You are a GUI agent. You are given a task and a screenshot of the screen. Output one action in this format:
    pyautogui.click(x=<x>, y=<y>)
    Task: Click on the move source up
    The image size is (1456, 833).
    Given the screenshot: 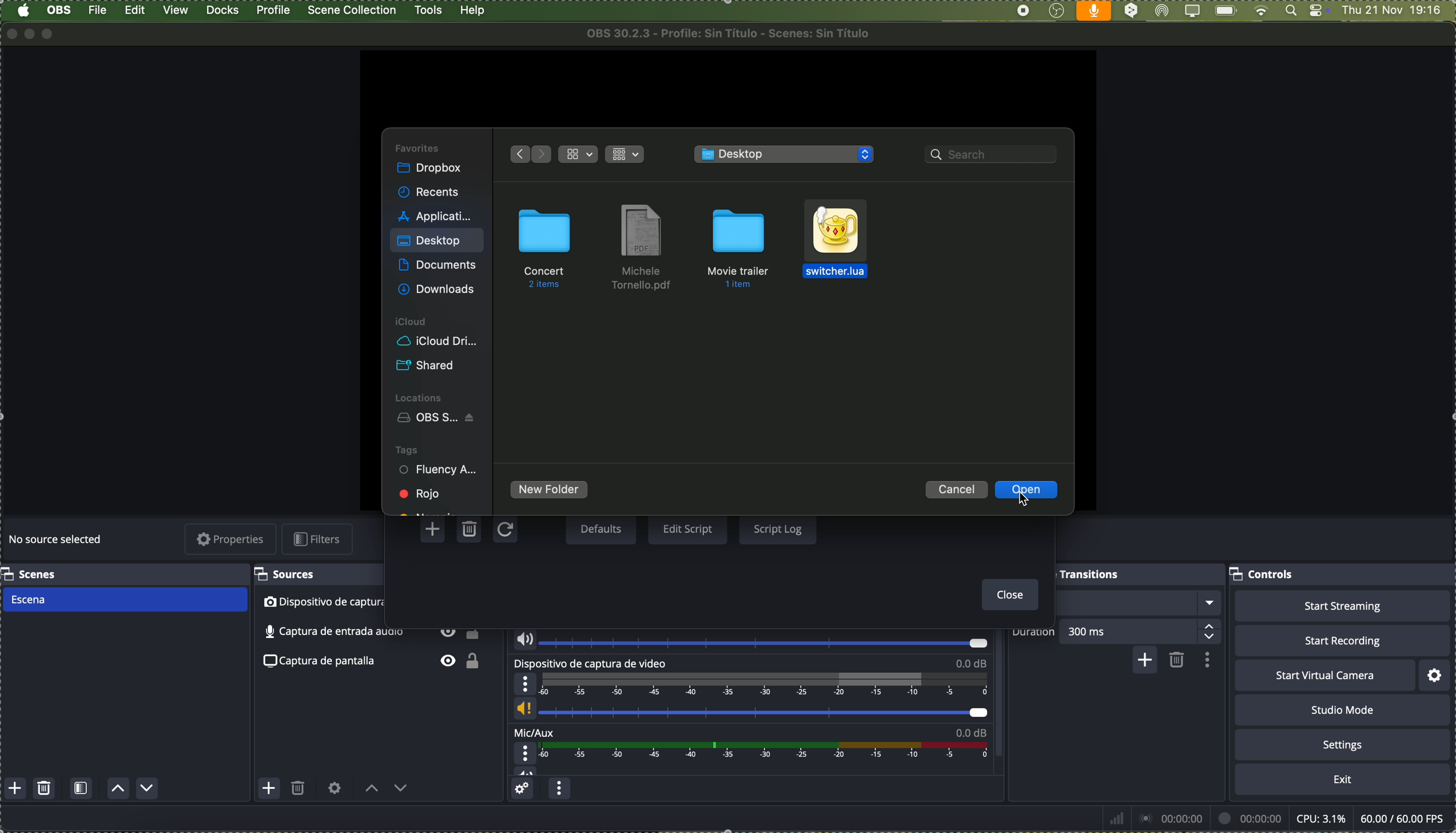 What is the action you would take?
    pyautogui.click(x=372, y=789)
    